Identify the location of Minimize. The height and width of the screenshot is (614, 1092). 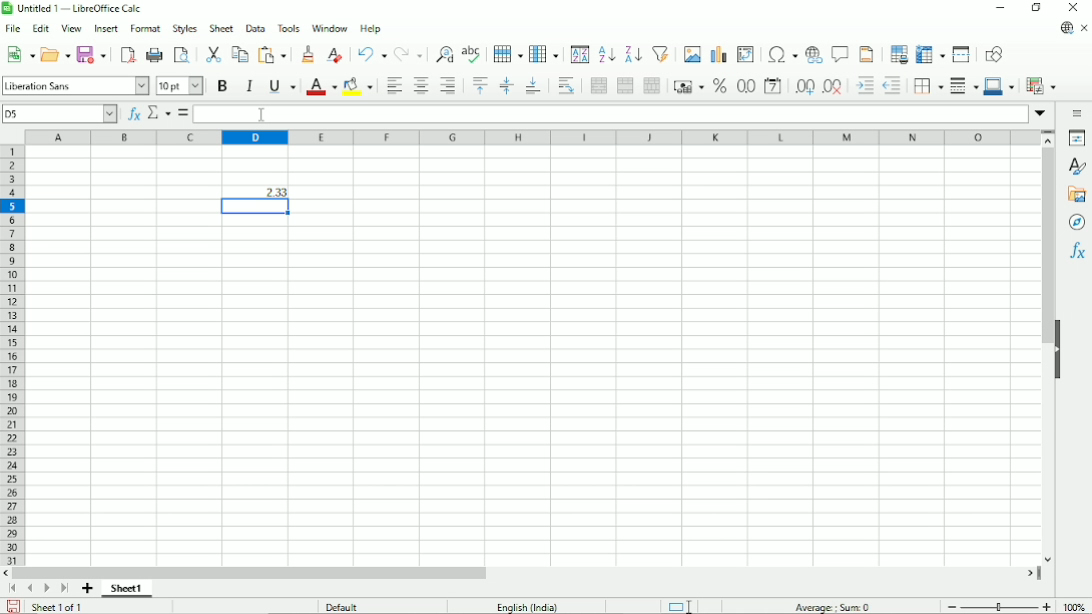
(1001, 8).